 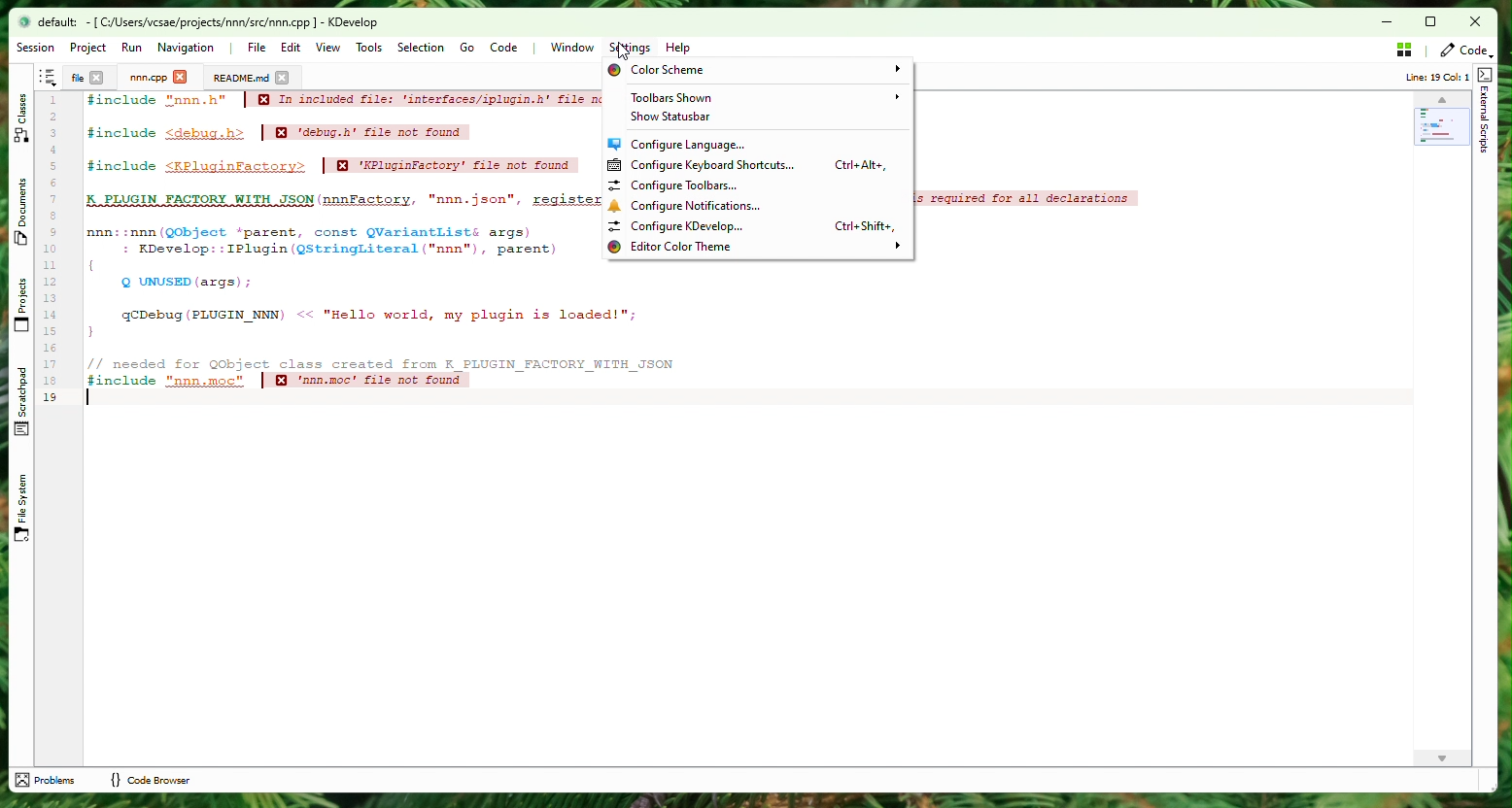 What do you see at coordinates (764, 96) in the screenshot?
I see `Toolbar shown` at bounding box center [764, 96].